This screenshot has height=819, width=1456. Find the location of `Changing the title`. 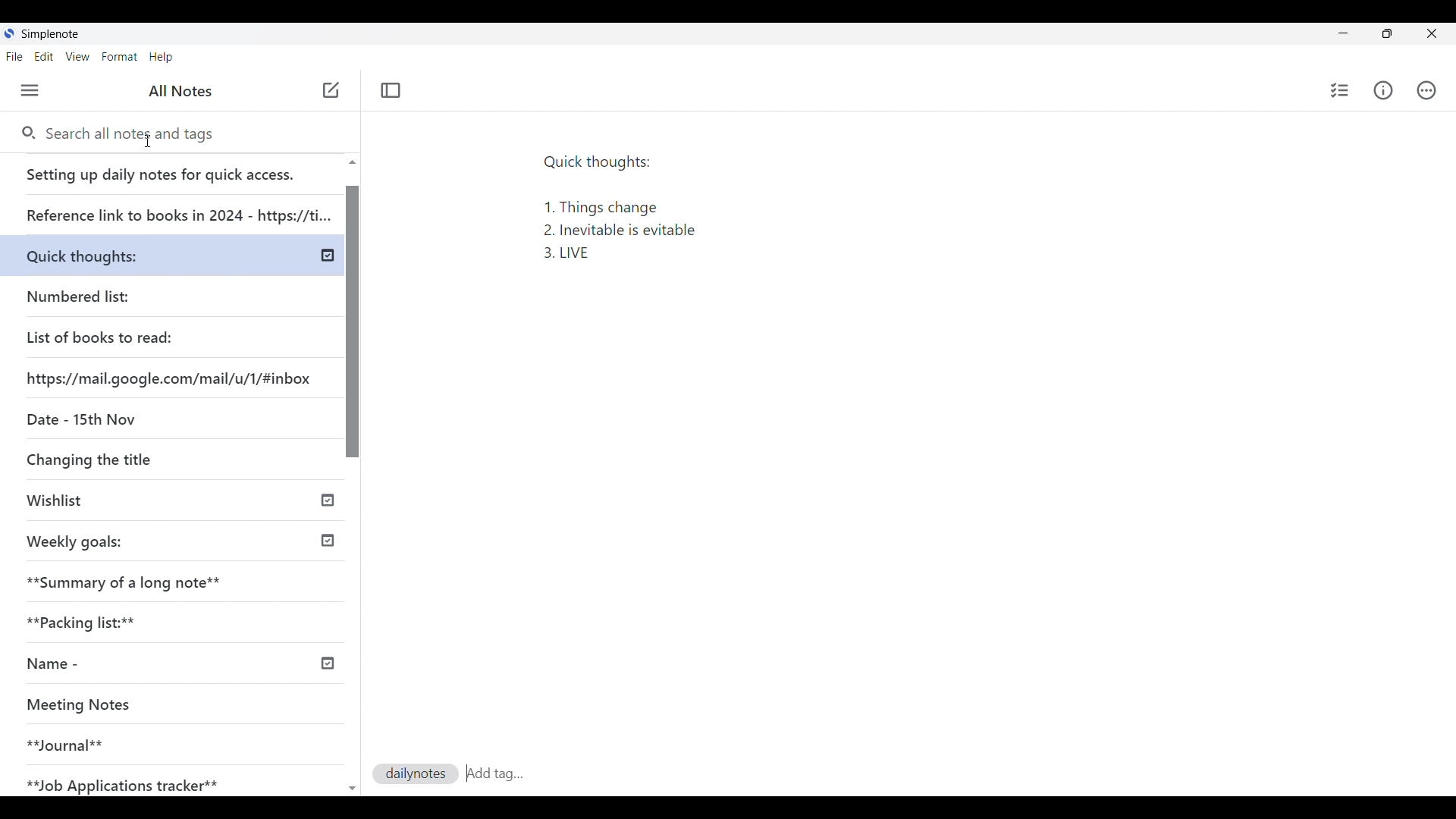

Changing the title is located at coordinates (121, 459).